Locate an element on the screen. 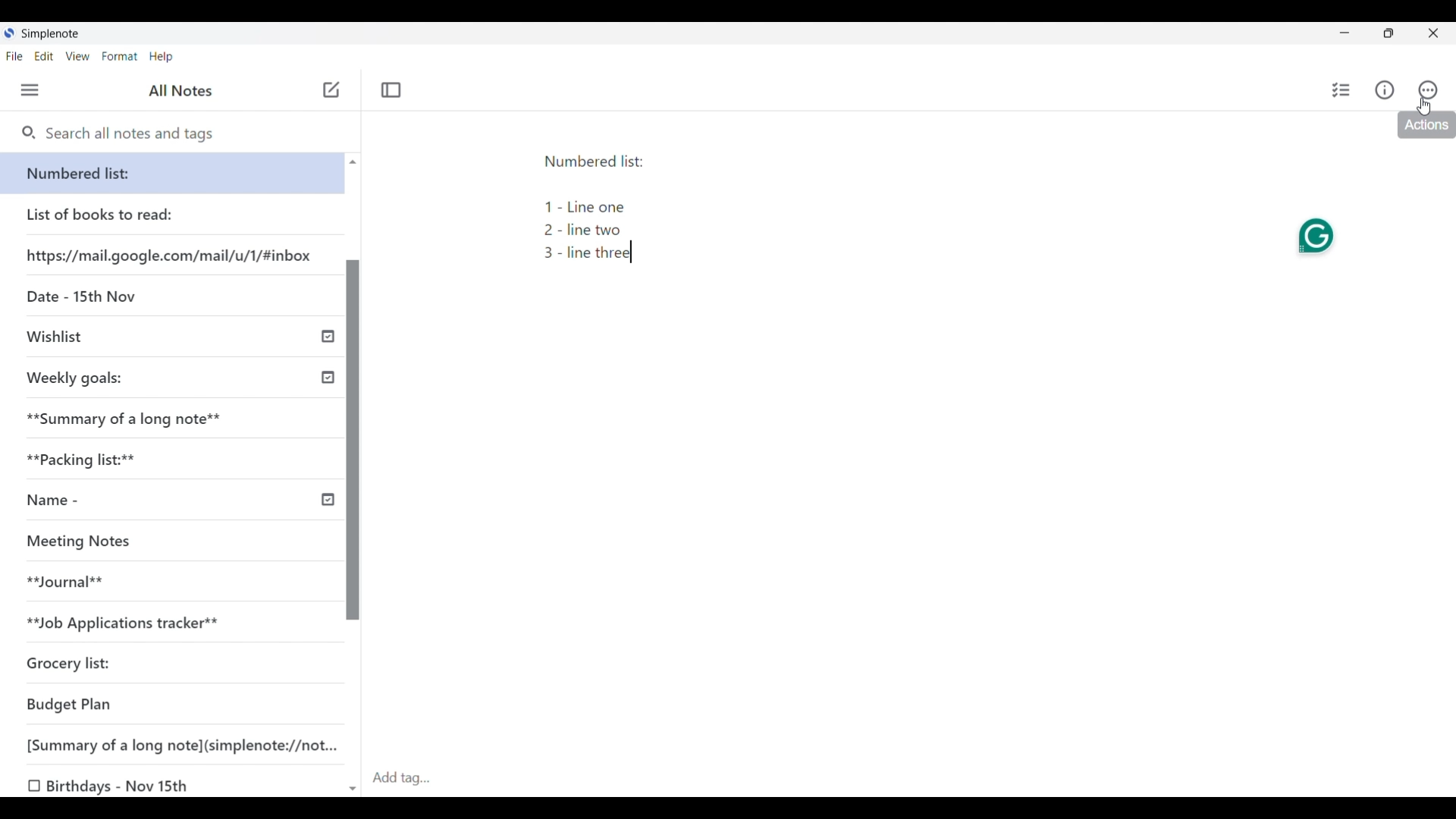  Actions is located at coordinates (1429, 87).